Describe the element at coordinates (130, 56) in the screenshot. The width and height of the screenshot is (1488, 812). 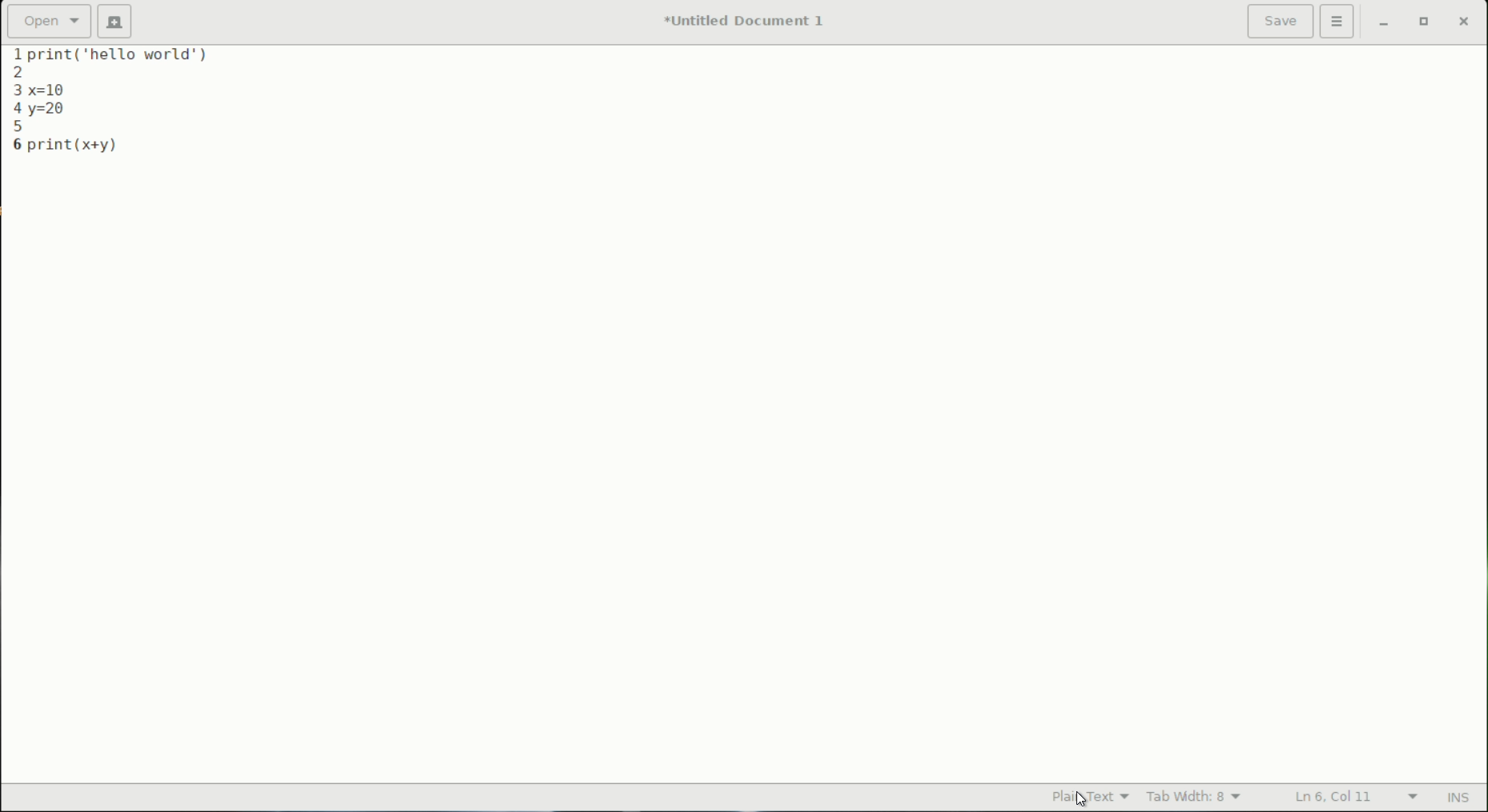
I see `text` at that location.